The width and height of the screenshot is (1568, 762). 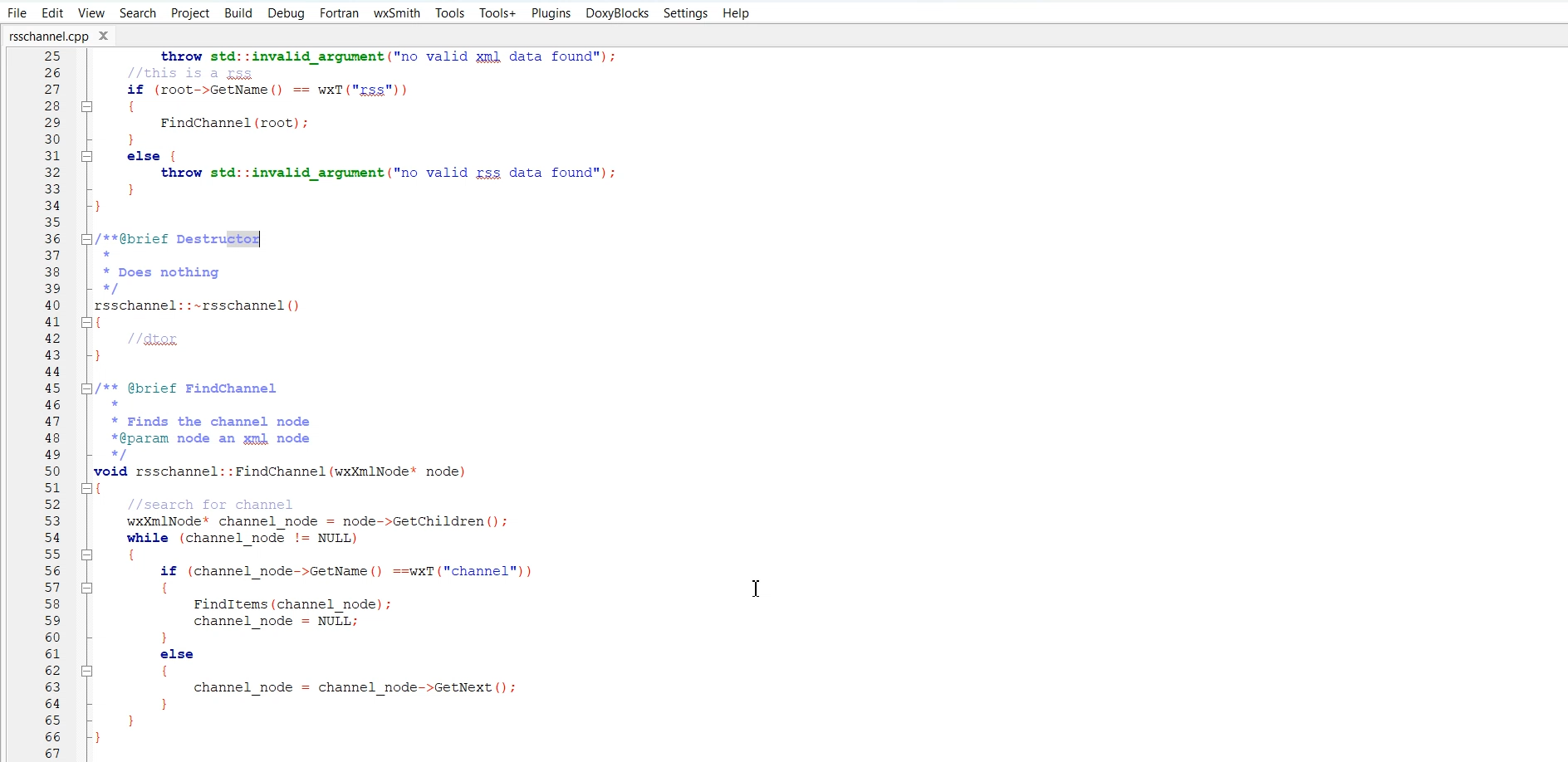 I want to click on Tools, so click(x=451, y=13).